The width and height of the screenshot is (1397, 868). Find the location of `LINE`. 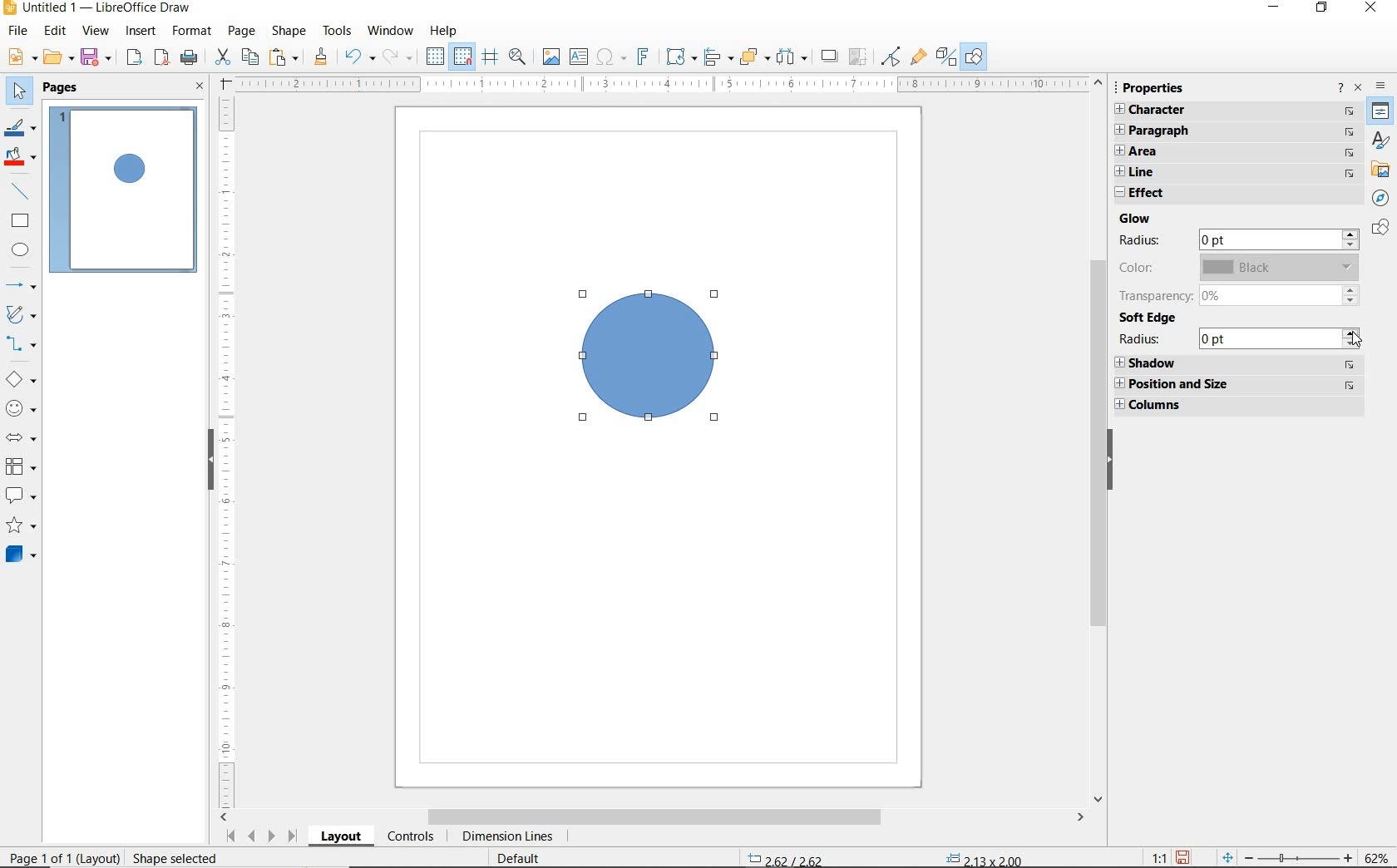

LINE is located at coordinates (1224, 172).